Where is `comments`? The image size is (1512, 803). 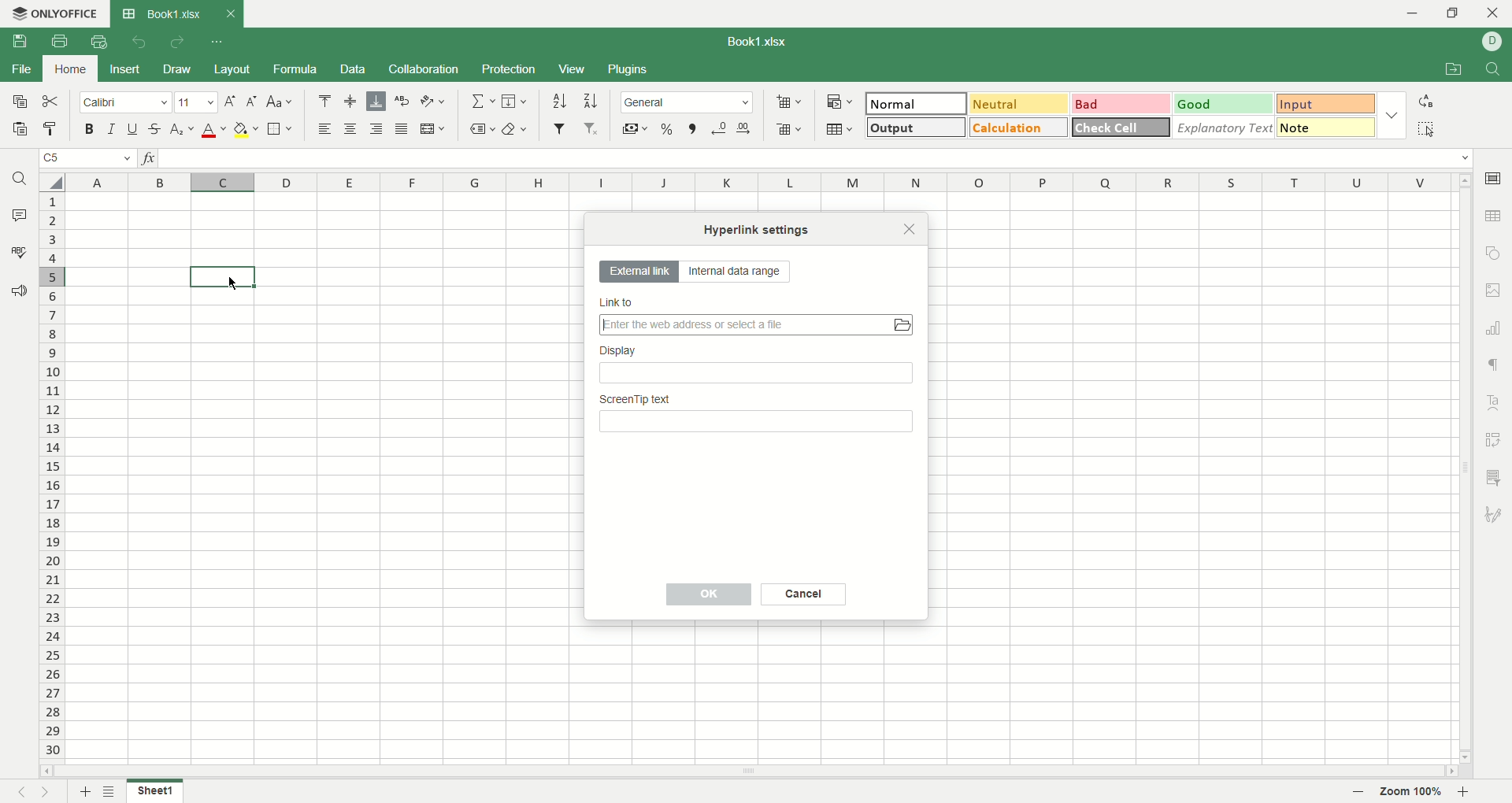 comments is located at coordinates (20, 216).